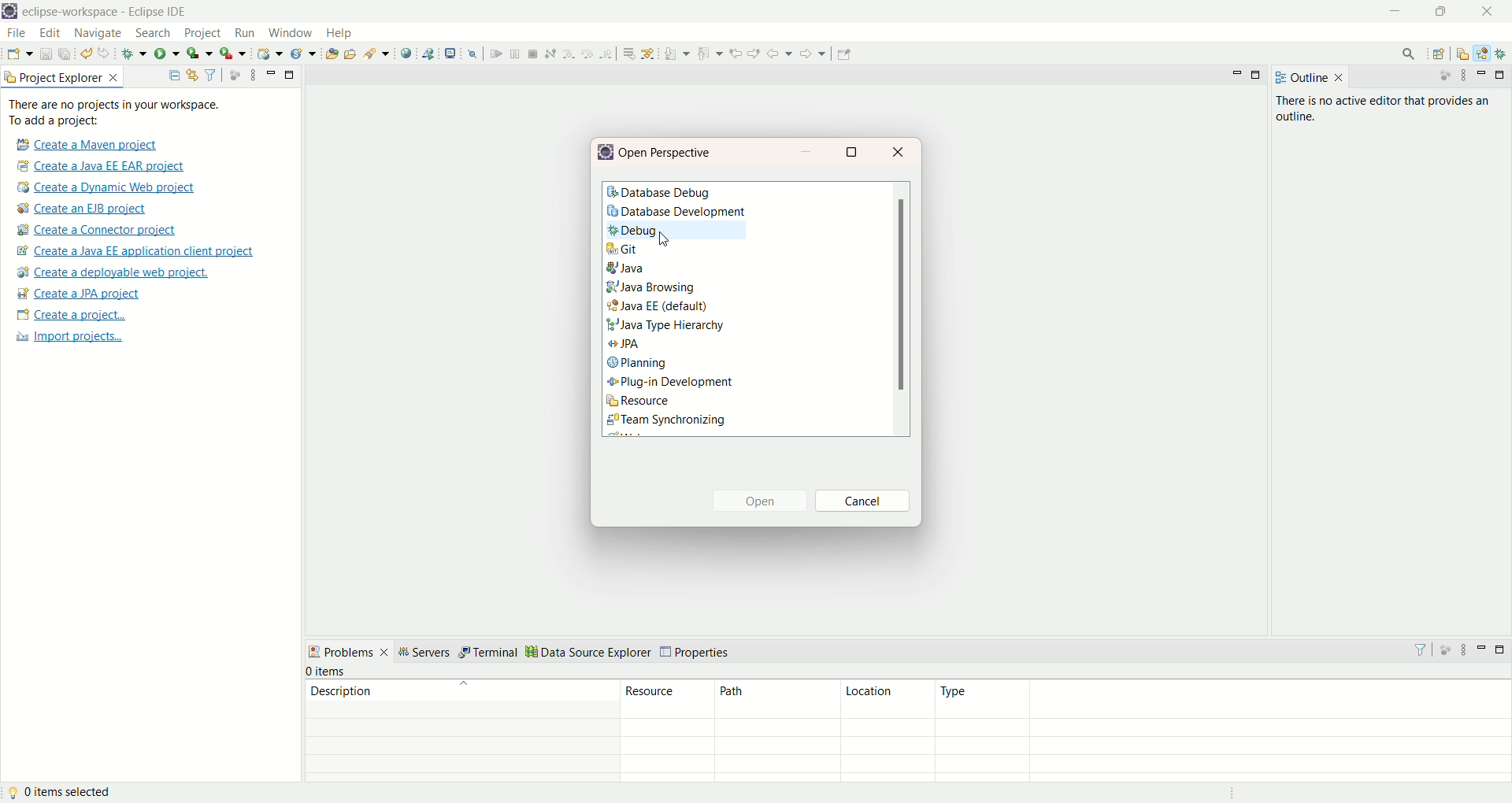 The width and height of the screenshot is (1512, 803). Describe the element at coordinates (665, 241) in the screenshot. I see `cursor` at that location.